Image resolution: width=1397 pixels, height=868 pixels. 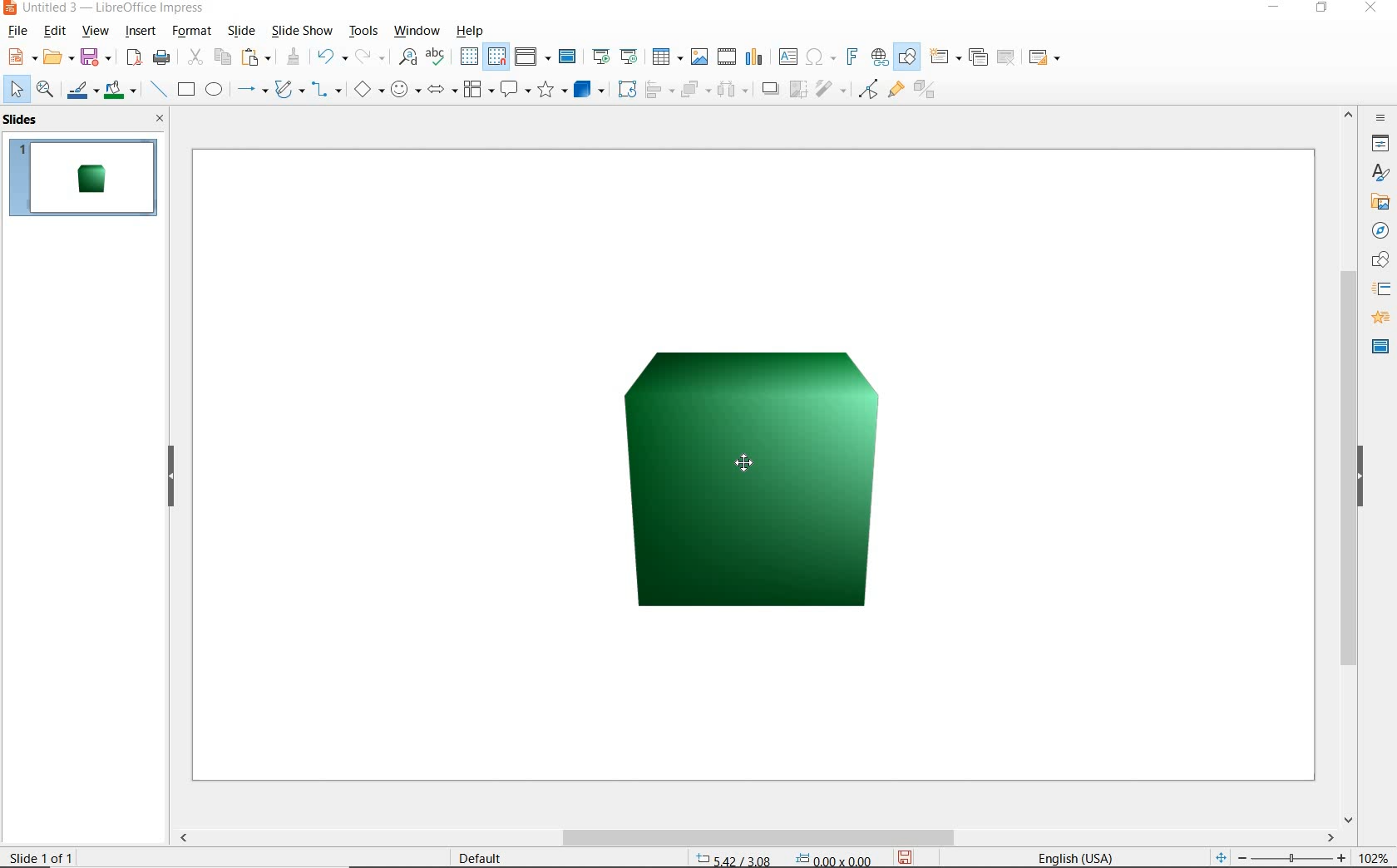 I want to click on symbol shapes, so click(x=407, y=89).